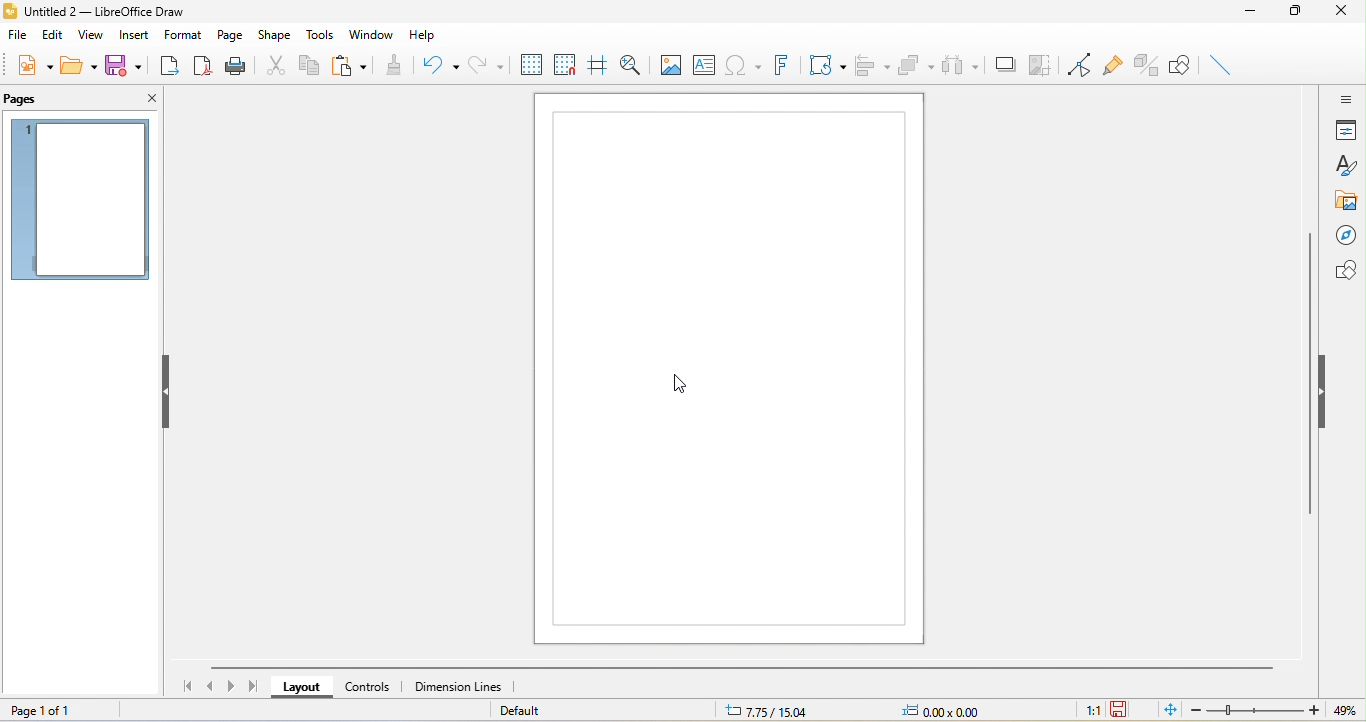  I want to click on paste, so click(349, 67).